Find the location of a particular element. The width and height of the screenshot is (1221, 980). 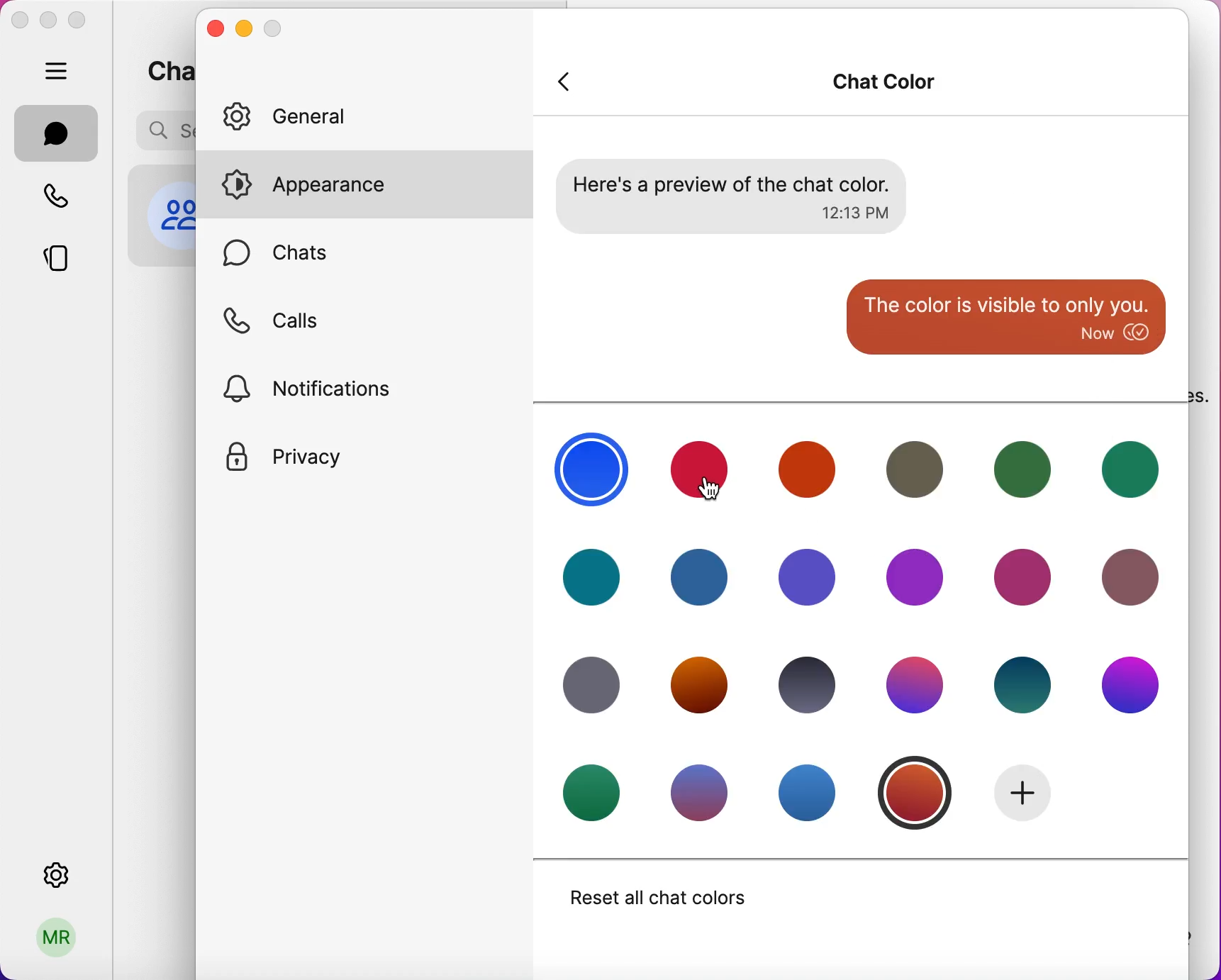

appearance is located at coordinates (377, 187).